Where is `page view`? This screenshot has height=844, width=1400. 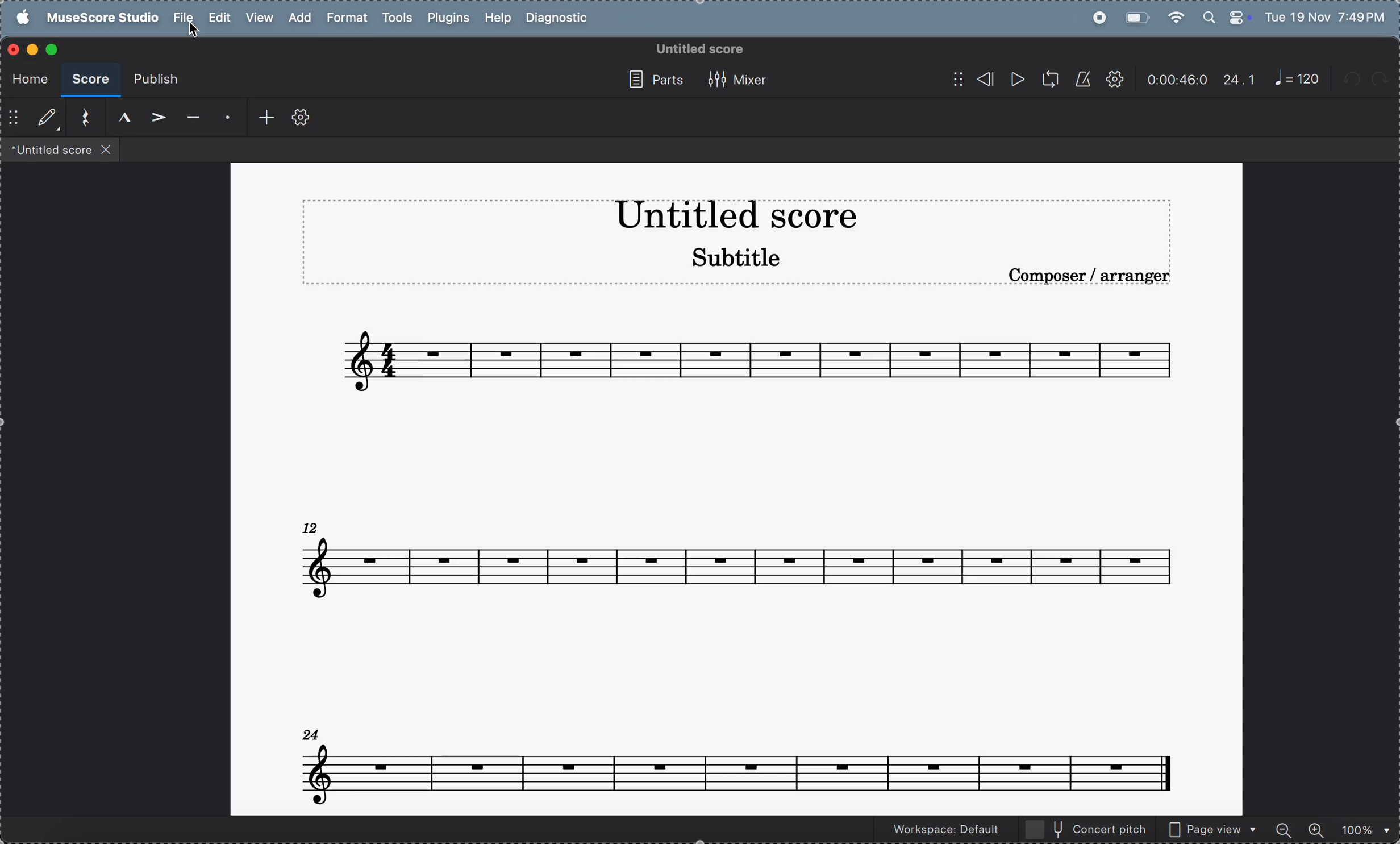 page view is located at coordinates (1213, 828).